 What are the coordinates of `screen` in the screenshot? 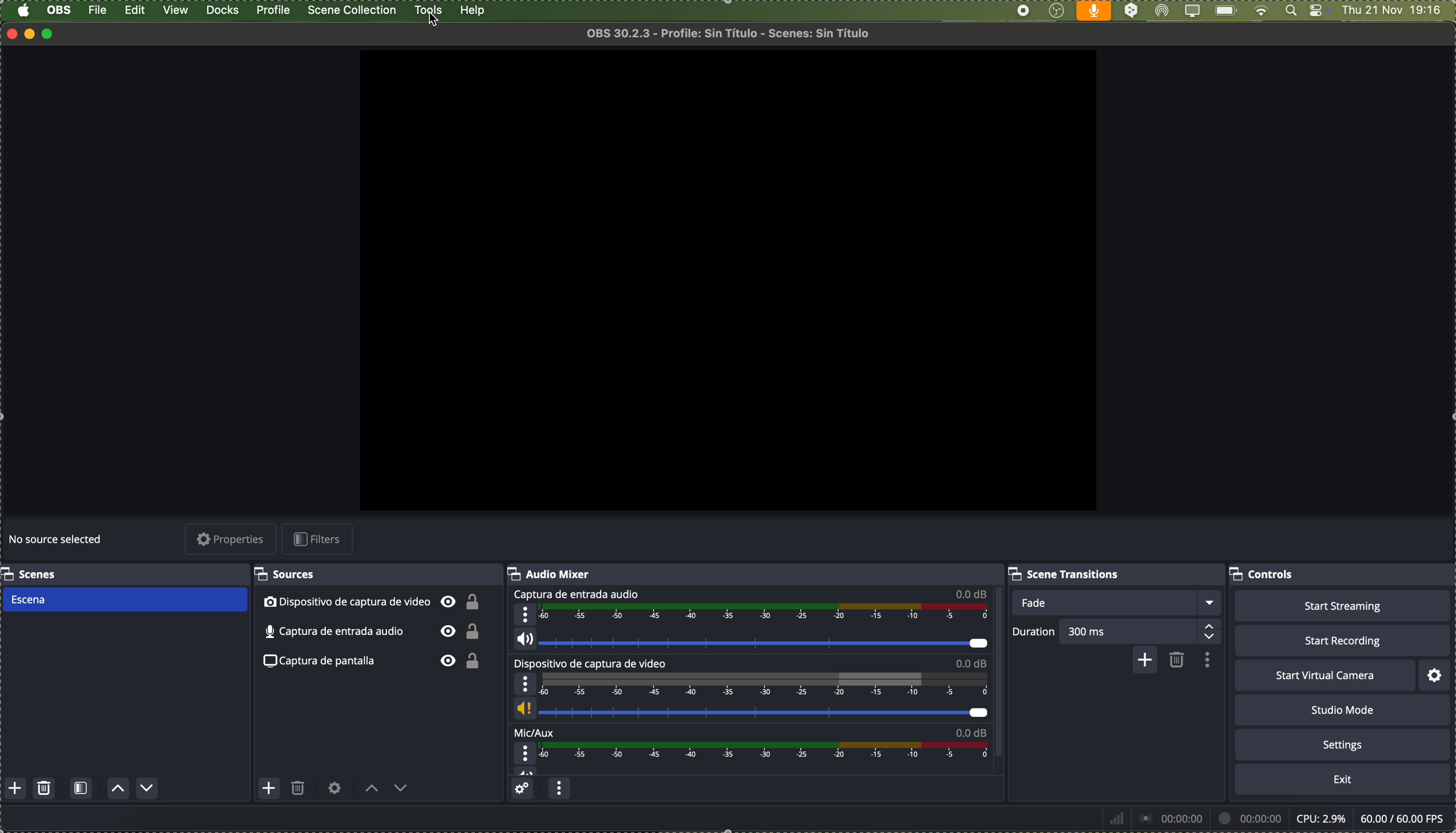 It's located at (1191, 11).